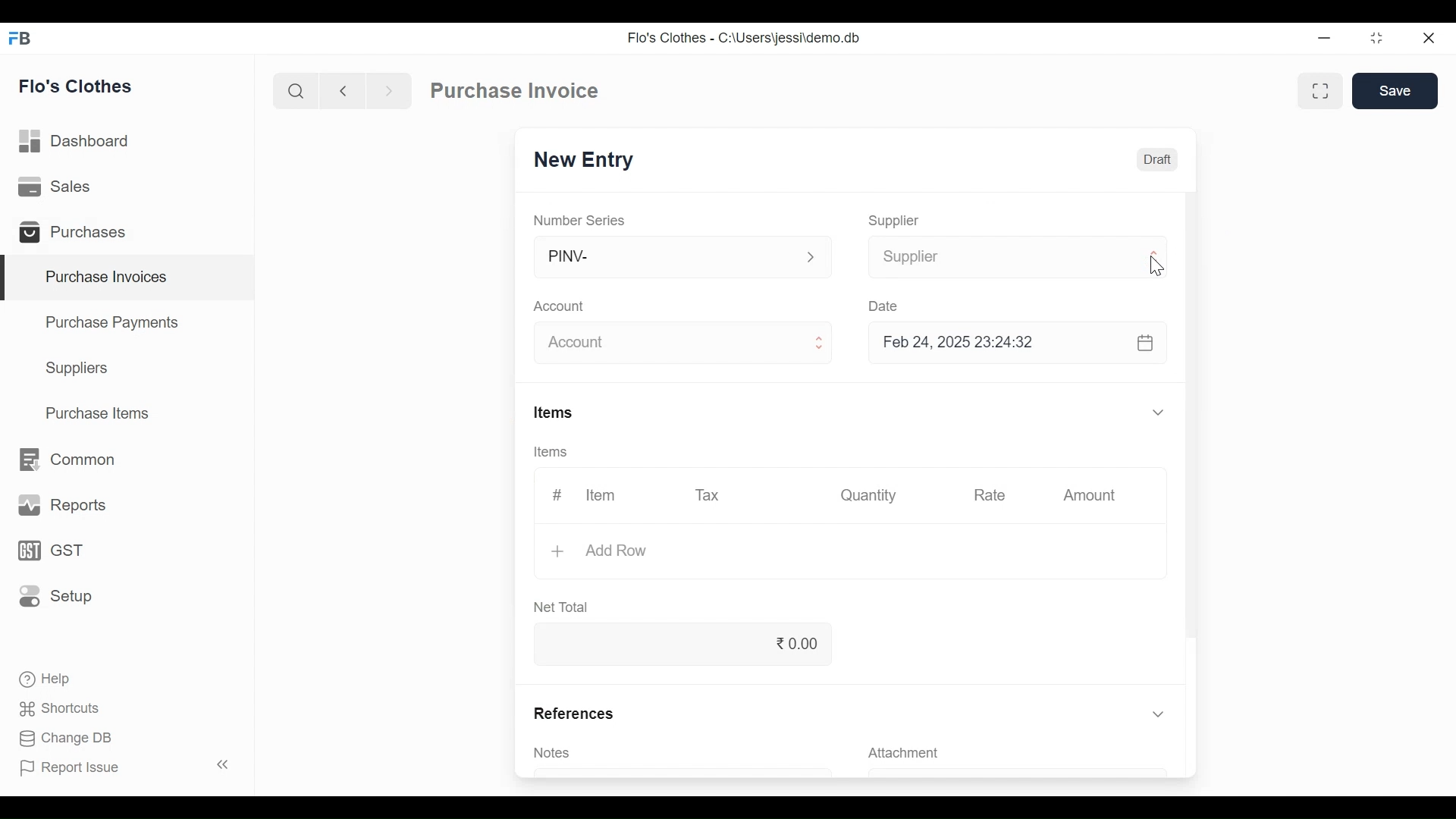 This screenshot has width=1456, height=819. I want to click on GST, so click(50, 551).